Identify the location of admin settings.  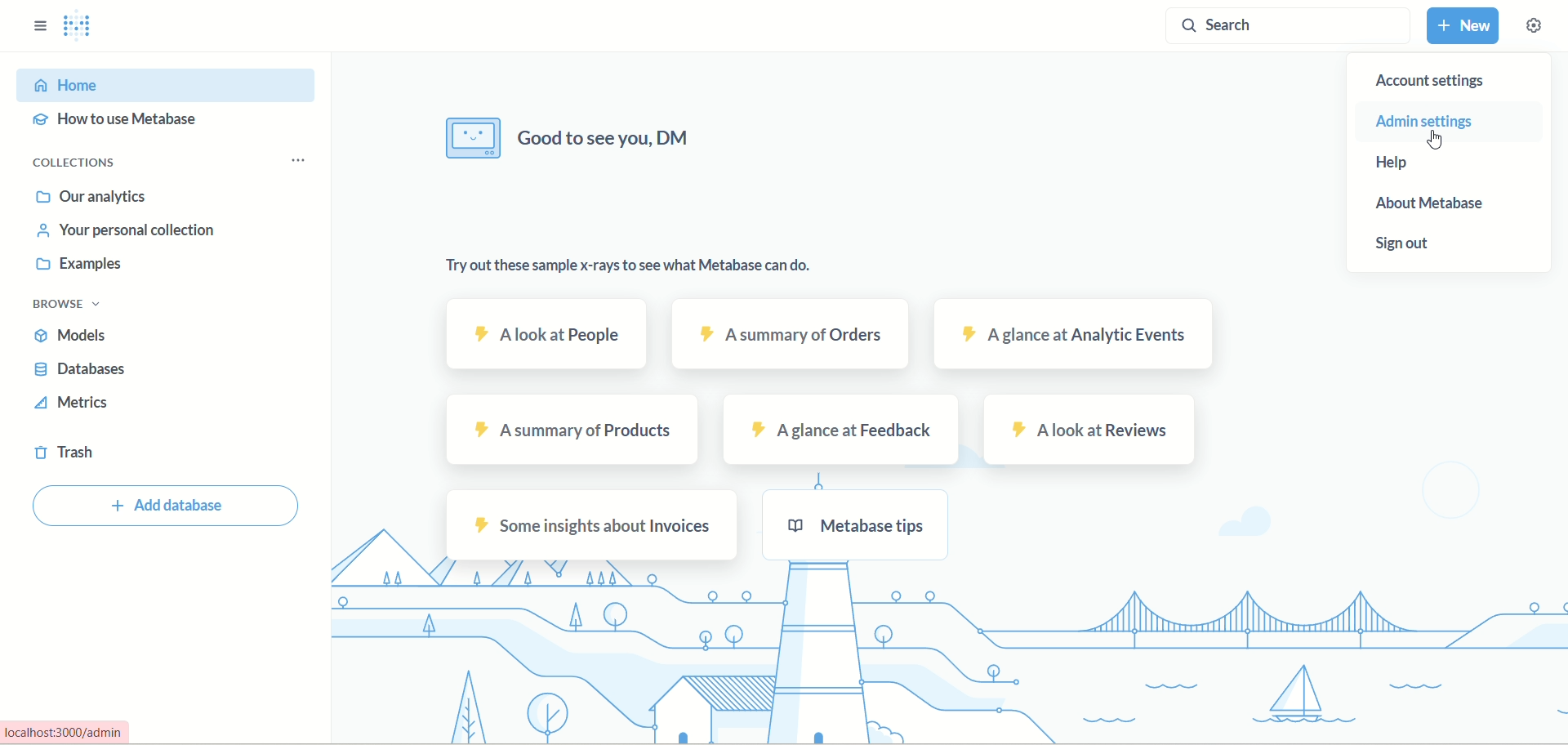
(1441, 122).